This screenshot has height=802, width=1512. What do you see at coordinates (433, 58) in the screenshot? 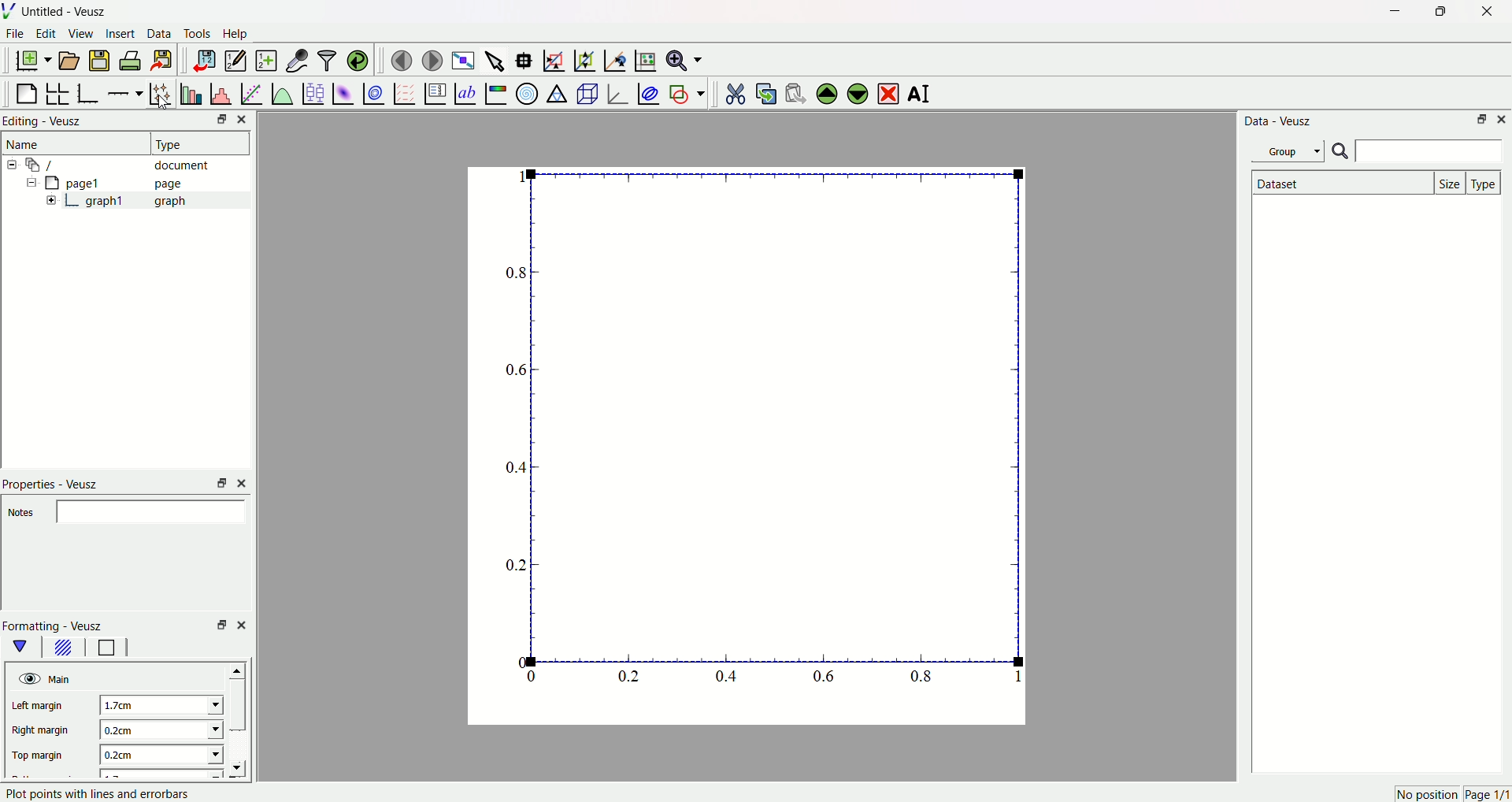
I see `move to next page` at bounding box center [433, 58].